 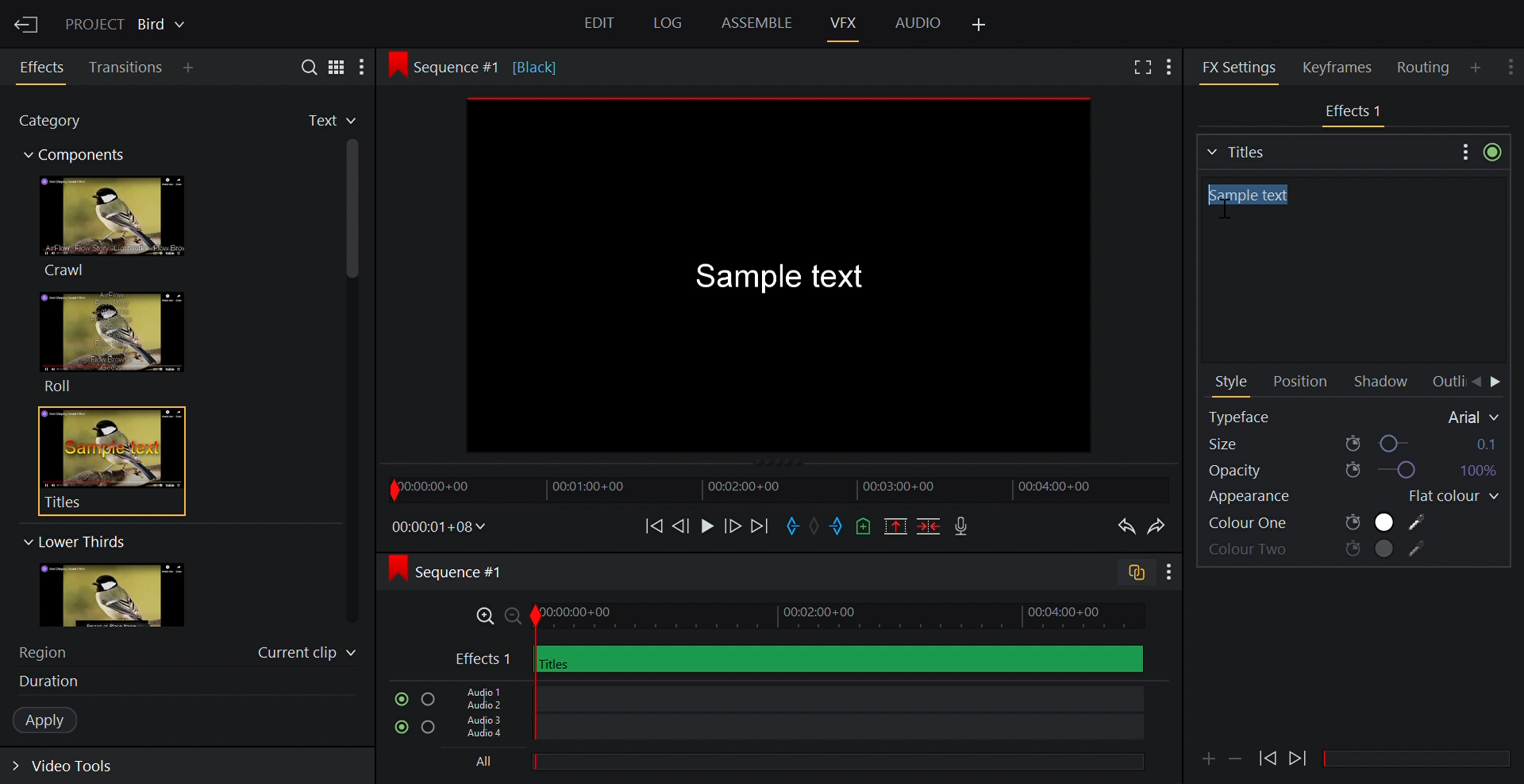 I want to click on More, so click(x=368, y=67).